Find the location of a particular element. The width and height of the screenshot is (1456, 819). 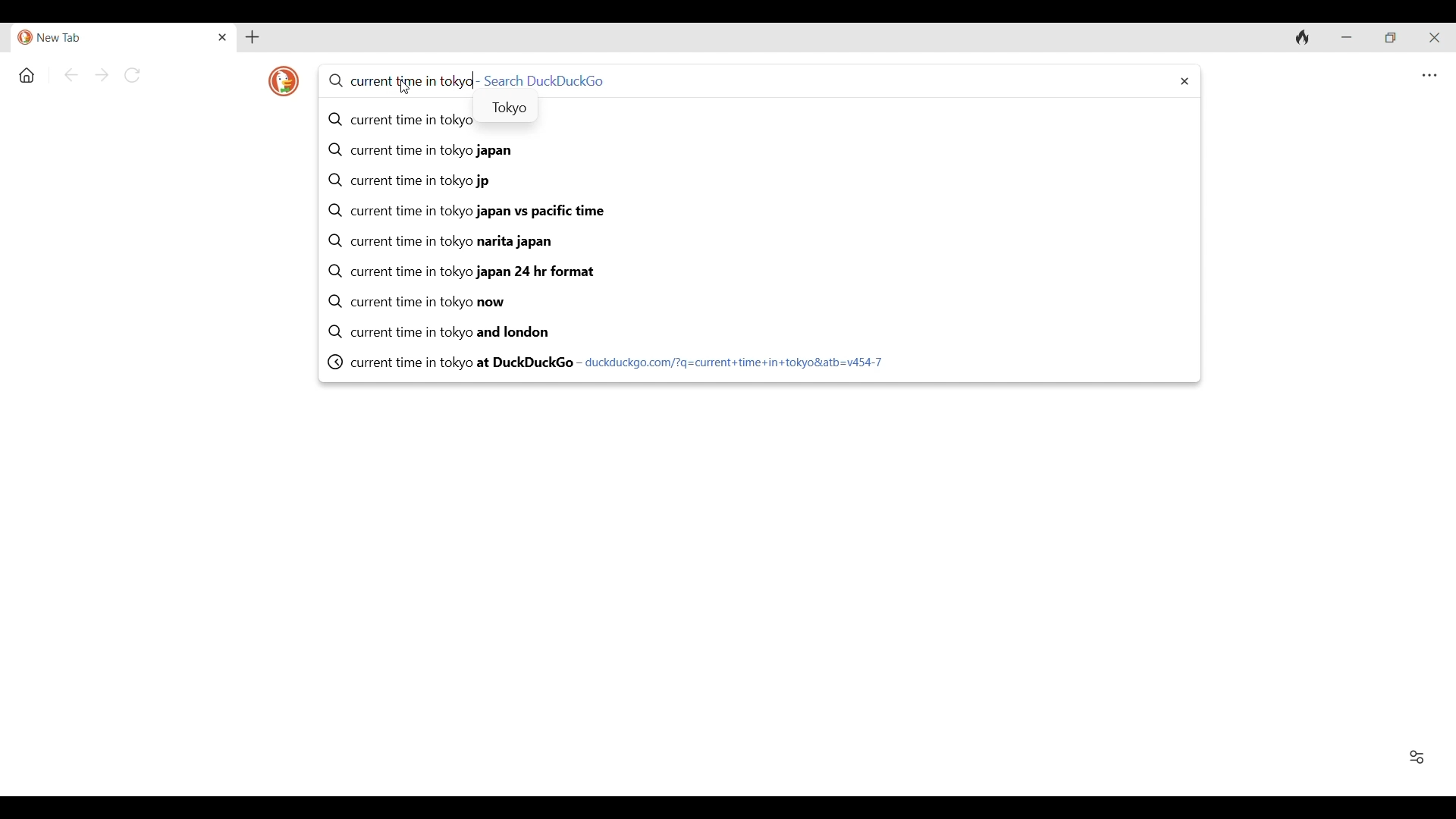

Delete typed search is located at coordinates (1185, 82).